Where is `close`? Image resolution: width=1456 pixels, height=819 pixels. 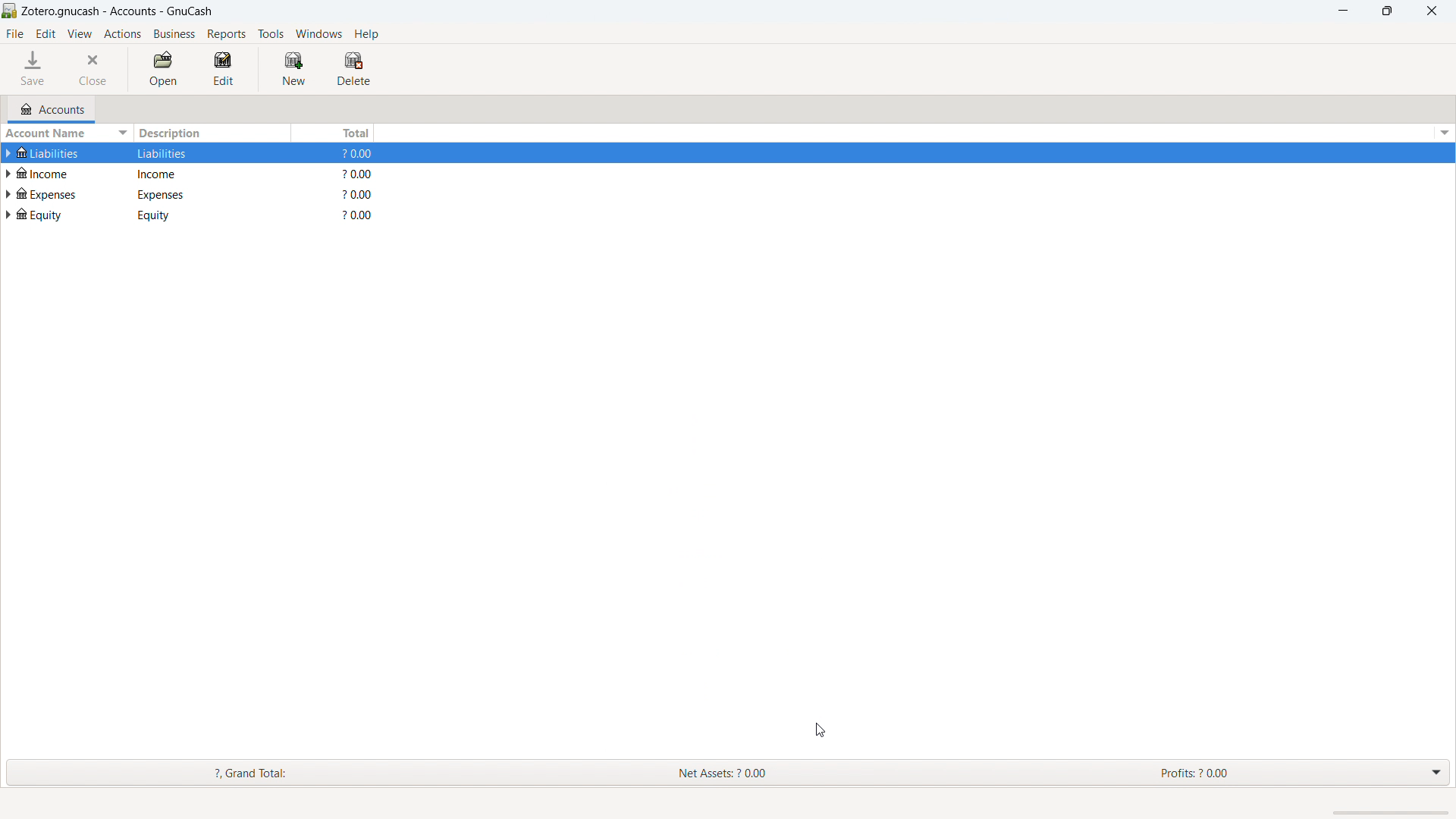 close is located at coordinates (96, 69).